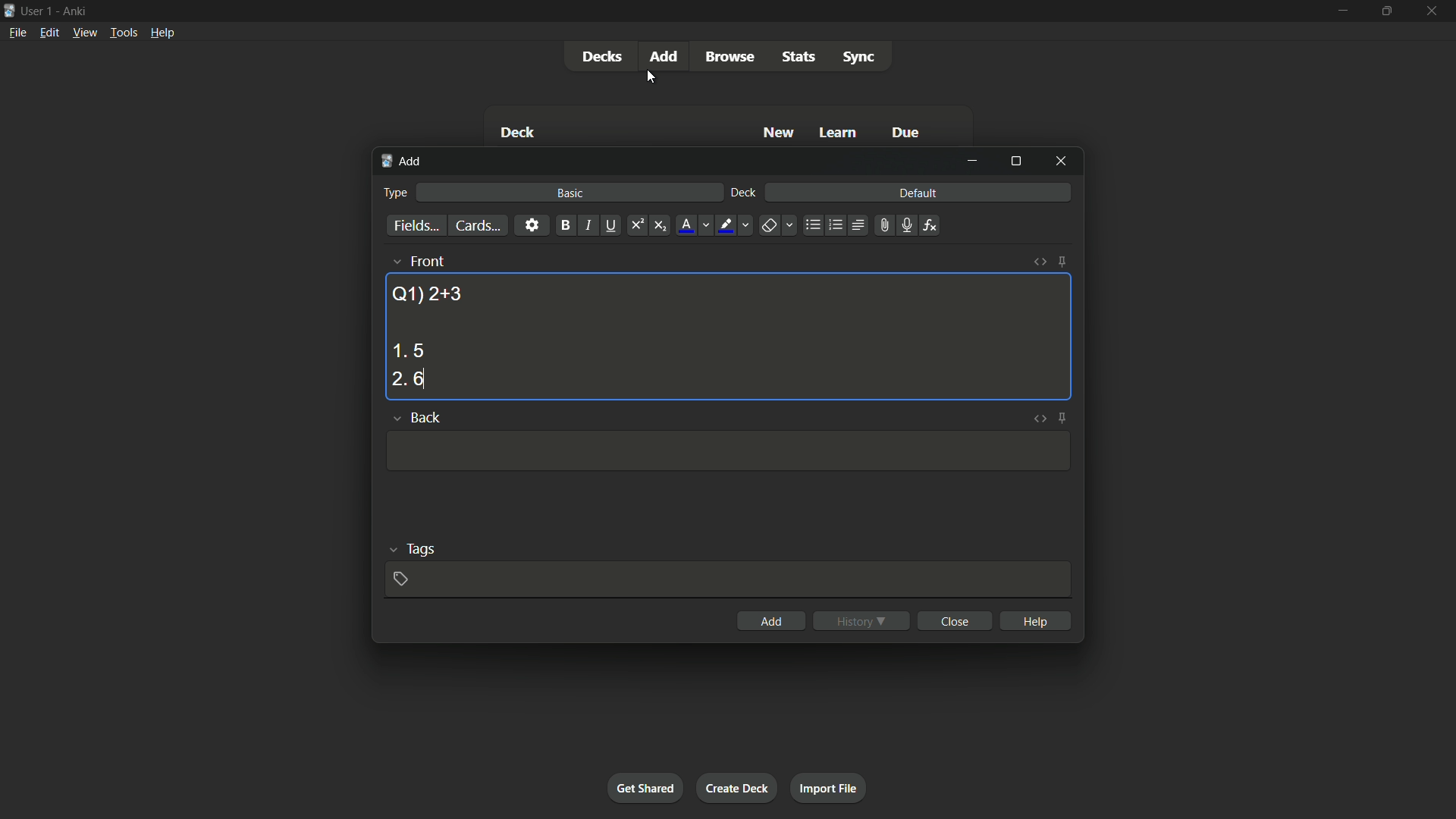  What do you see at coordinates (601, 57) in the screenshot?
I see `decks` at bounding box center [601, 57].